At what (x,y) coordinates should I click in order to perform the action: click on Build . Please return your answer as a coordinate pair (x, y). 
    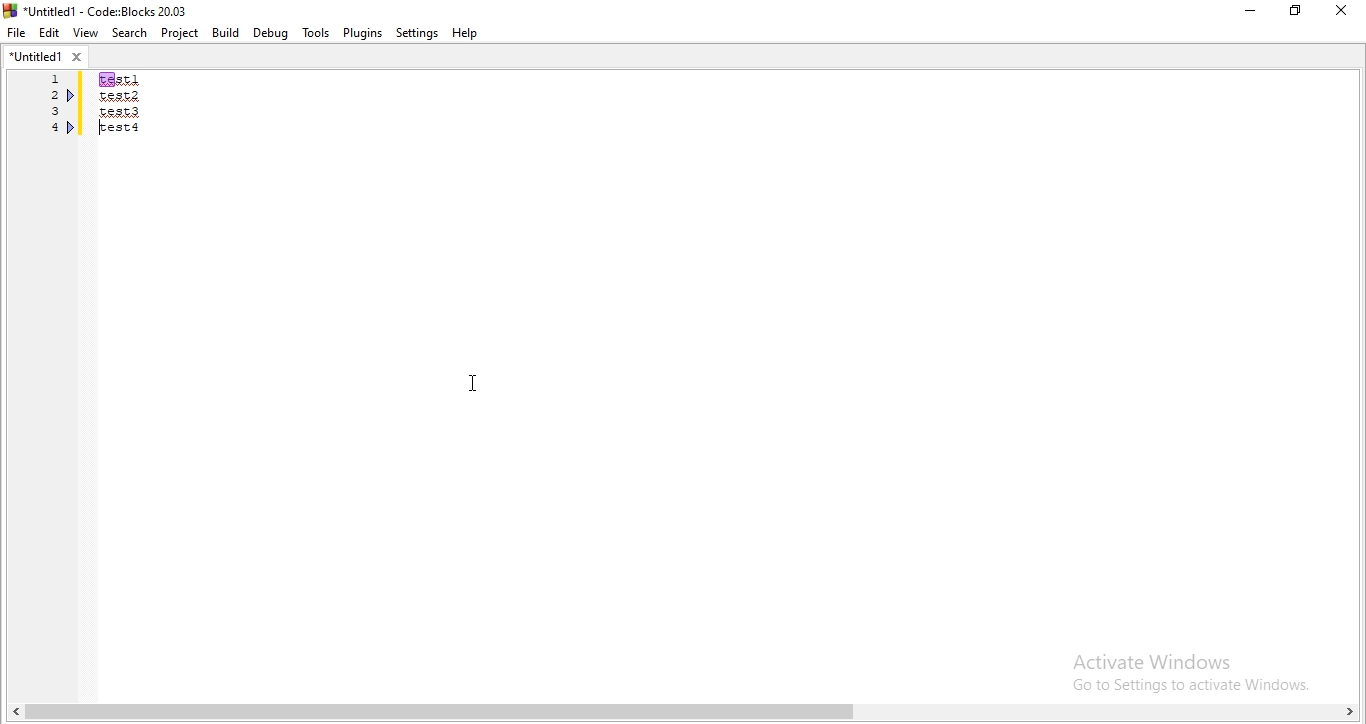
    Looking at the image, I should click on (226, 32).